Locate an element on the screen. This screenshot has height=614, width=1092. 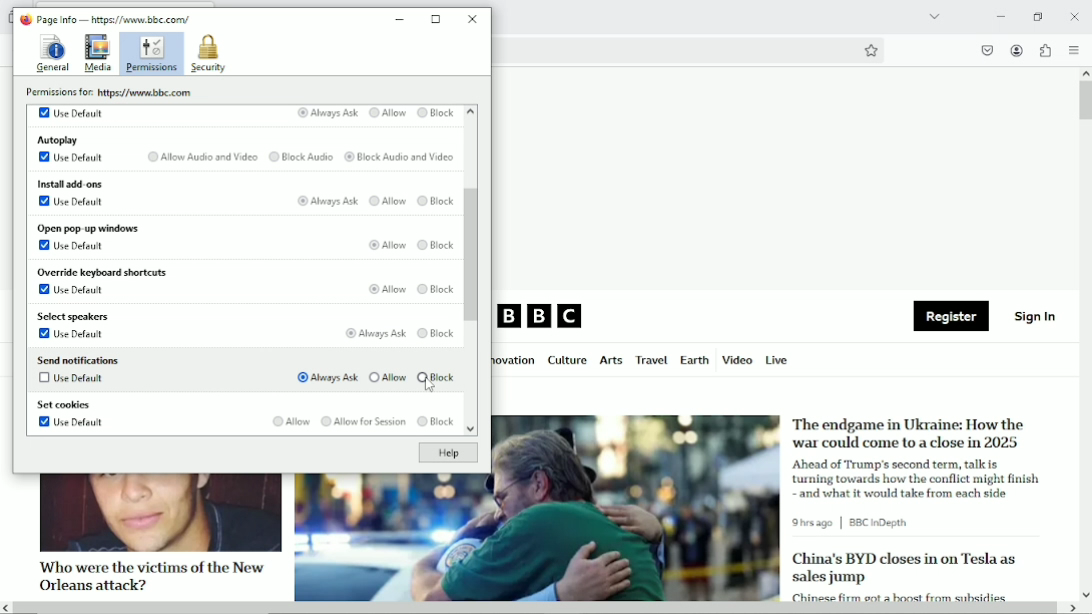
BBC is located at coordinates (541, 317).